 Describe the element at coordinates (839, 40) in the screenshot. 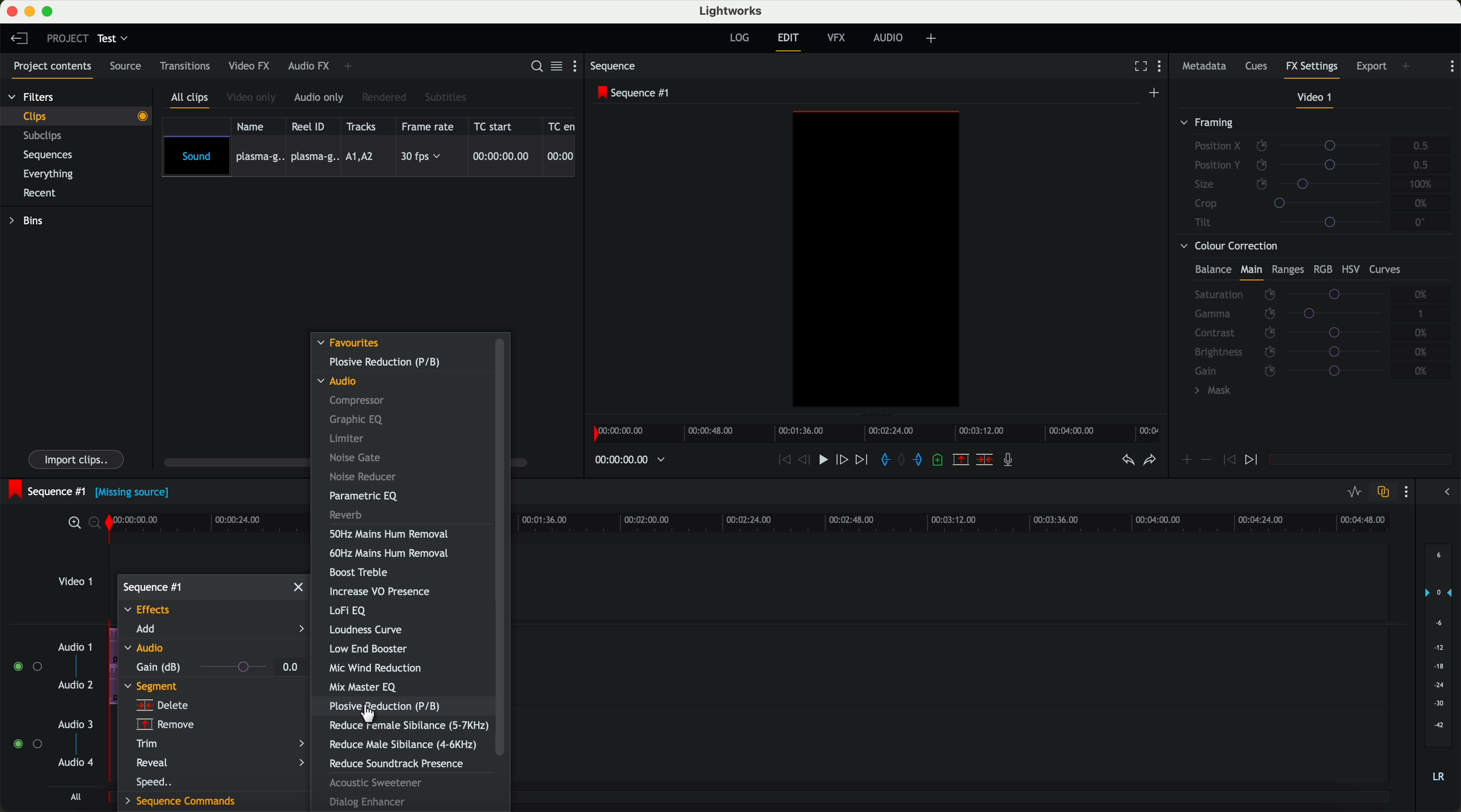

I see `VFX` at that location.